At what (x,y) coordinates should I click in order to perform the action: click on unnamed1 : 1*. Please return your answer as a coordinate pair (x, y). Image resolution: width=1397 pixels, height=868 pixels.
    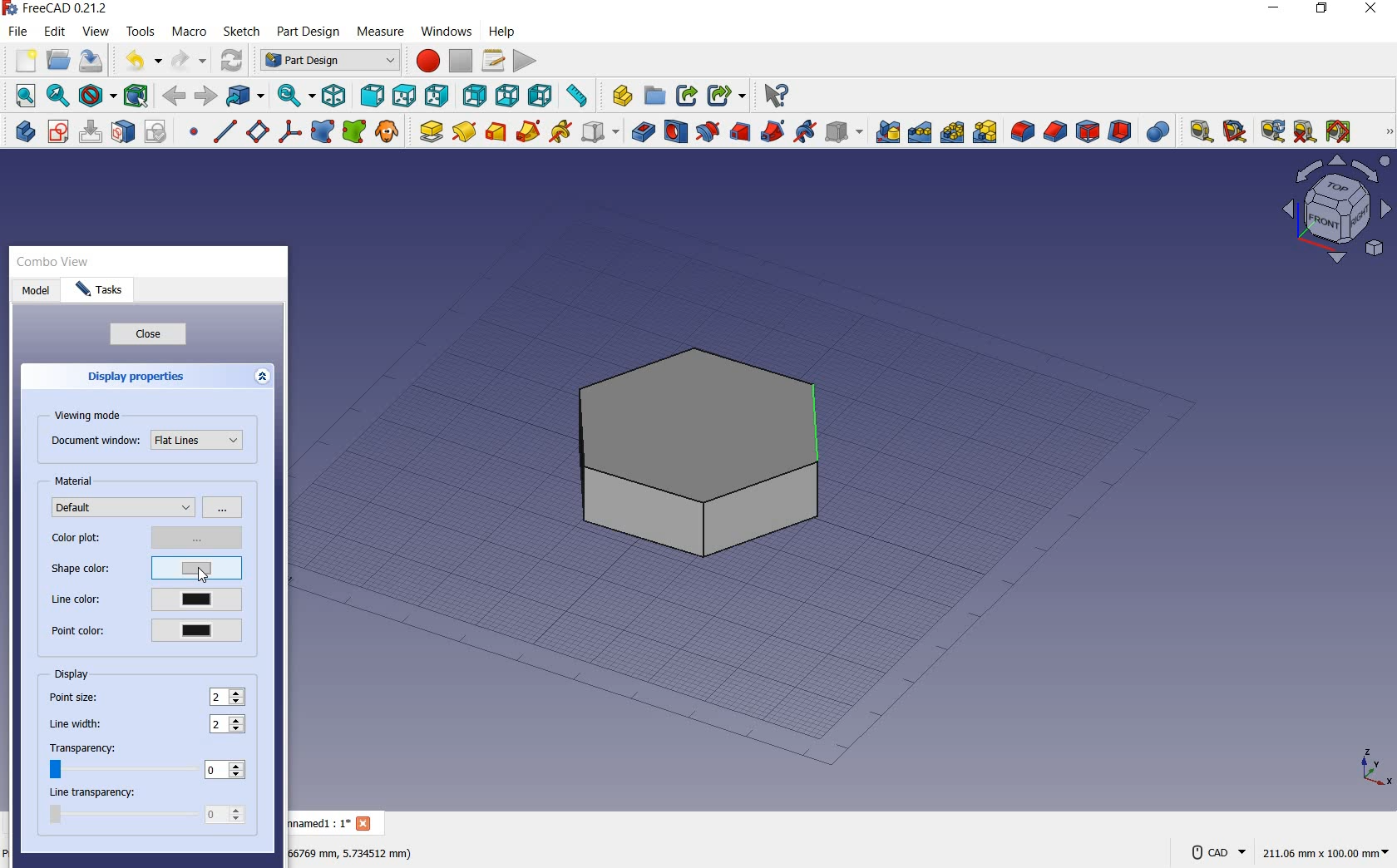
    Looking at the image, I should click on (318, 822).